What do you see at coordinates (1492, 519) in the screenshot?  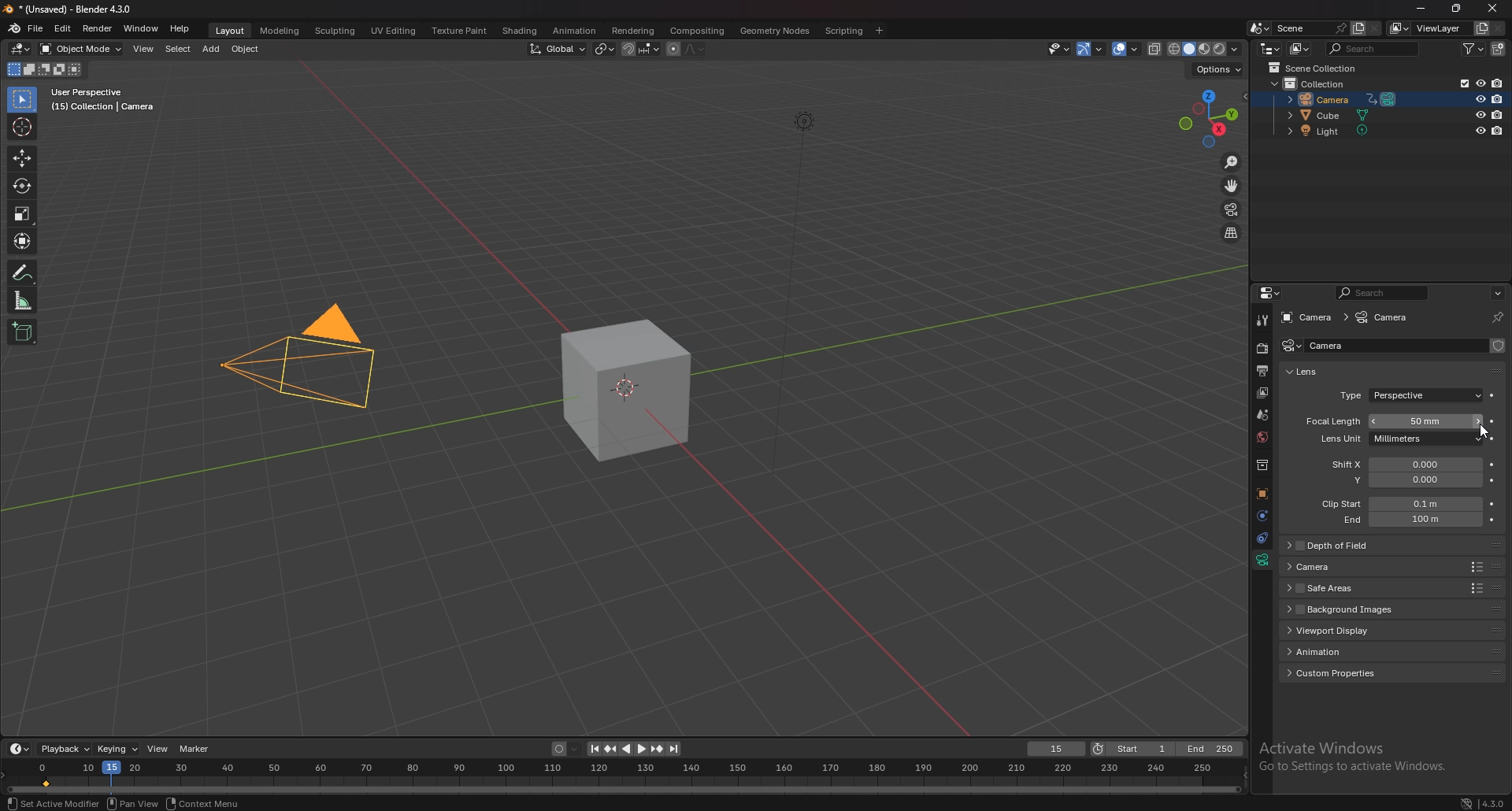 I see `animate property` at bounding box center [1492, 519].